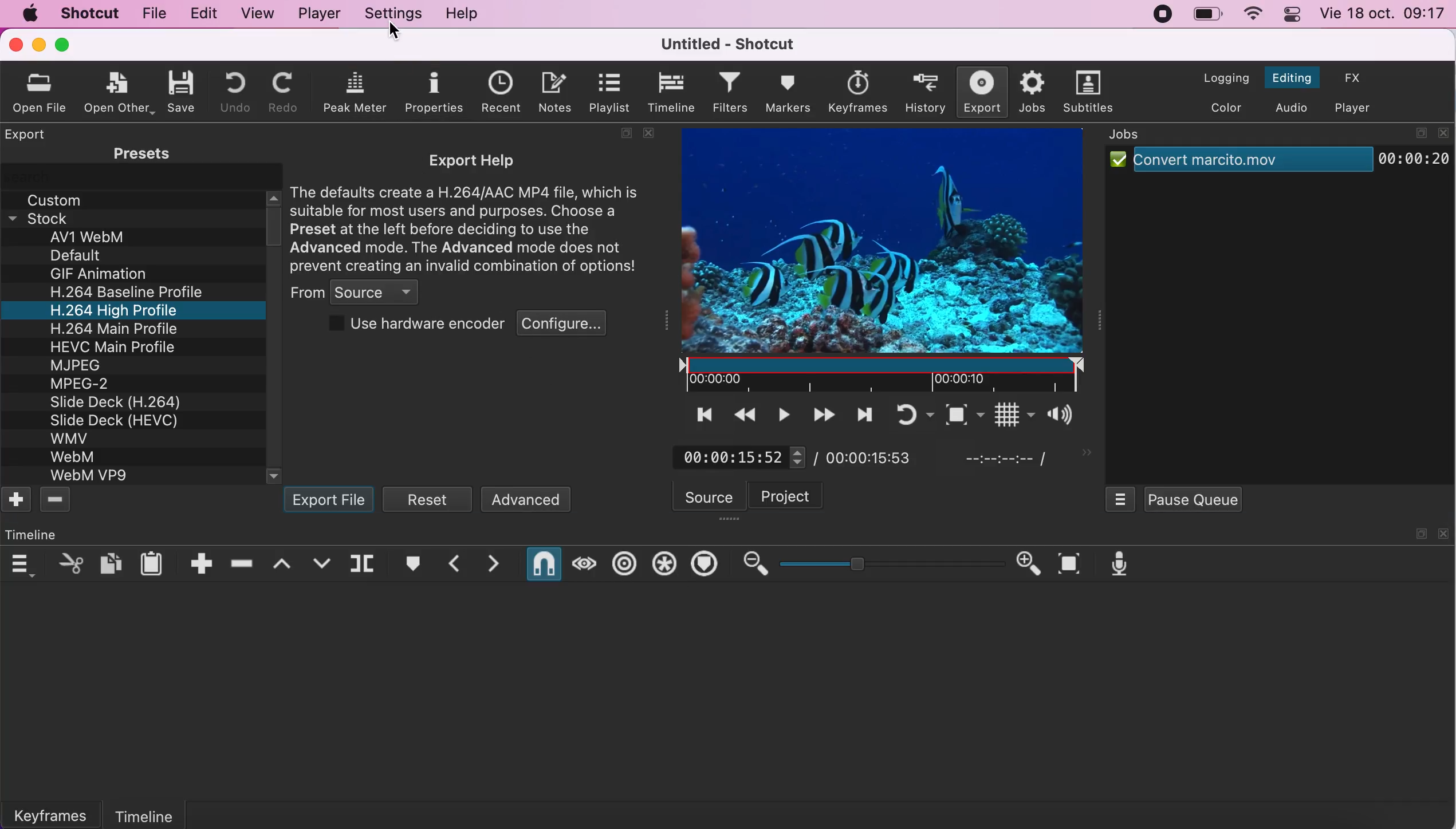 Image resolution: width=1456 pixels, height=829 pixels. Describe the element at coordinates (671, 92) in the screenshot. I see `timeline` at that location.